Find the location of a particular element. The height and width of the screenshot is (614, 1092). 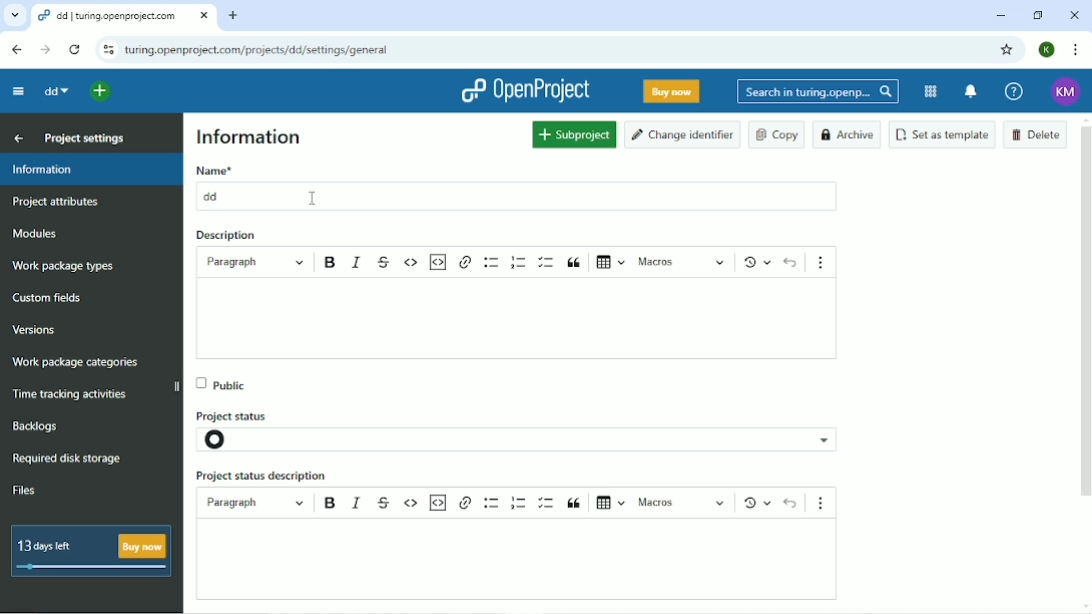

paragraph is located at coordinates (255, 503).